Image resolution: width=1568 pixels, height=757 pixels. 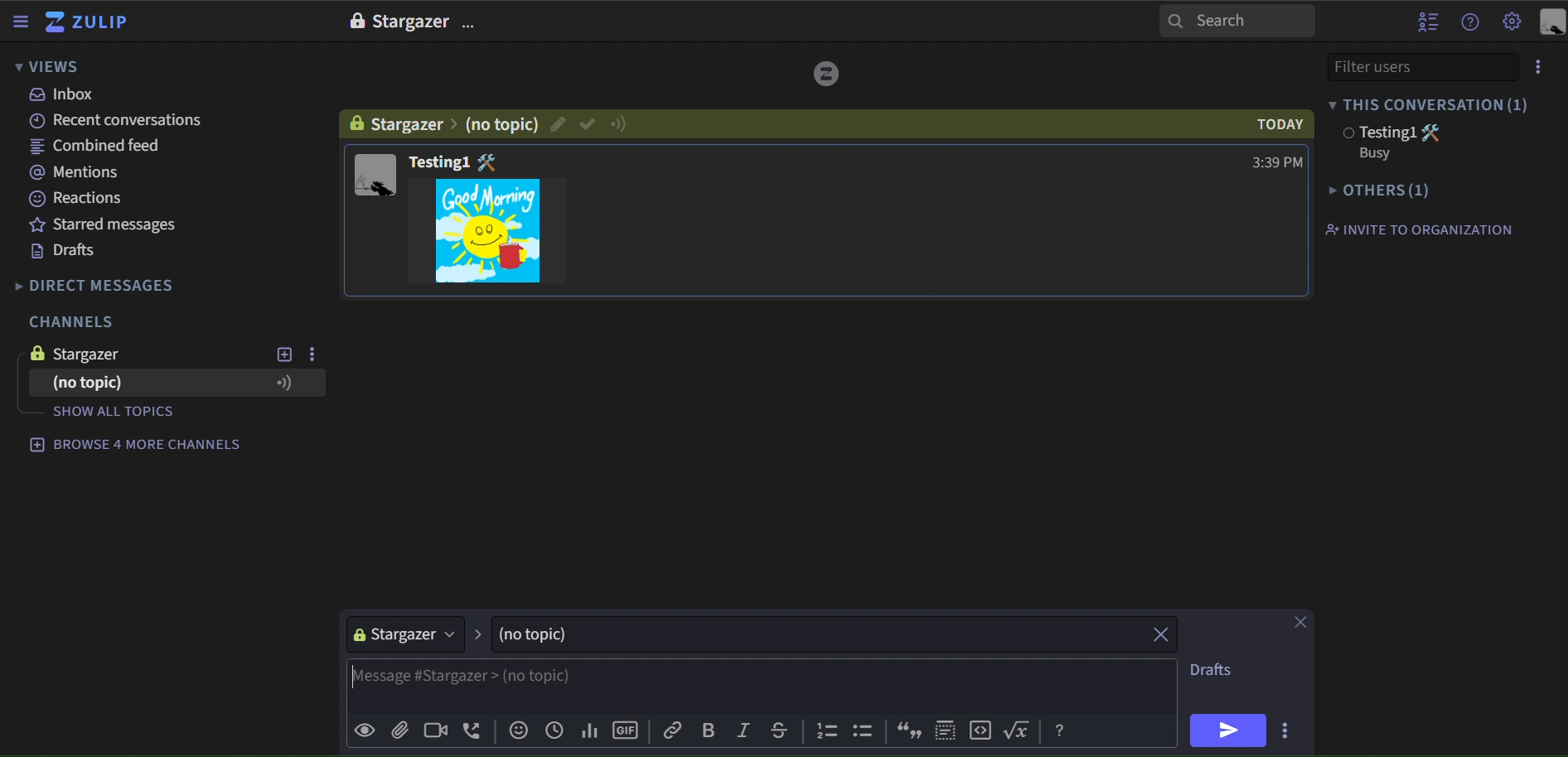 I want to click on icon, so click(x=946, y=727).